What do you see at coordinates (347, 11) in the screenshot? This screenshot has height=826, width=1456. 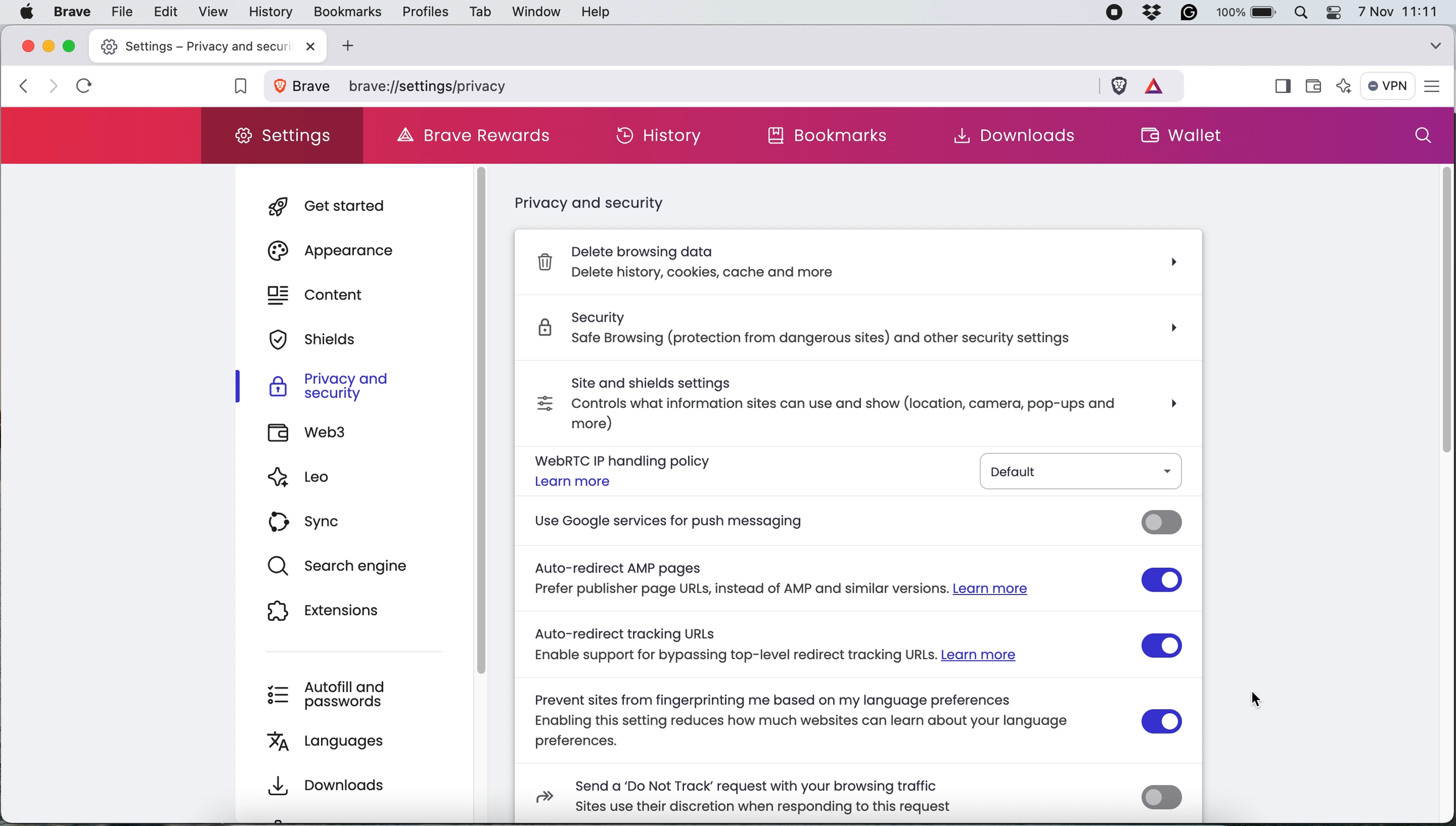 I see `bookmarks` at bounding box center [347, 11].